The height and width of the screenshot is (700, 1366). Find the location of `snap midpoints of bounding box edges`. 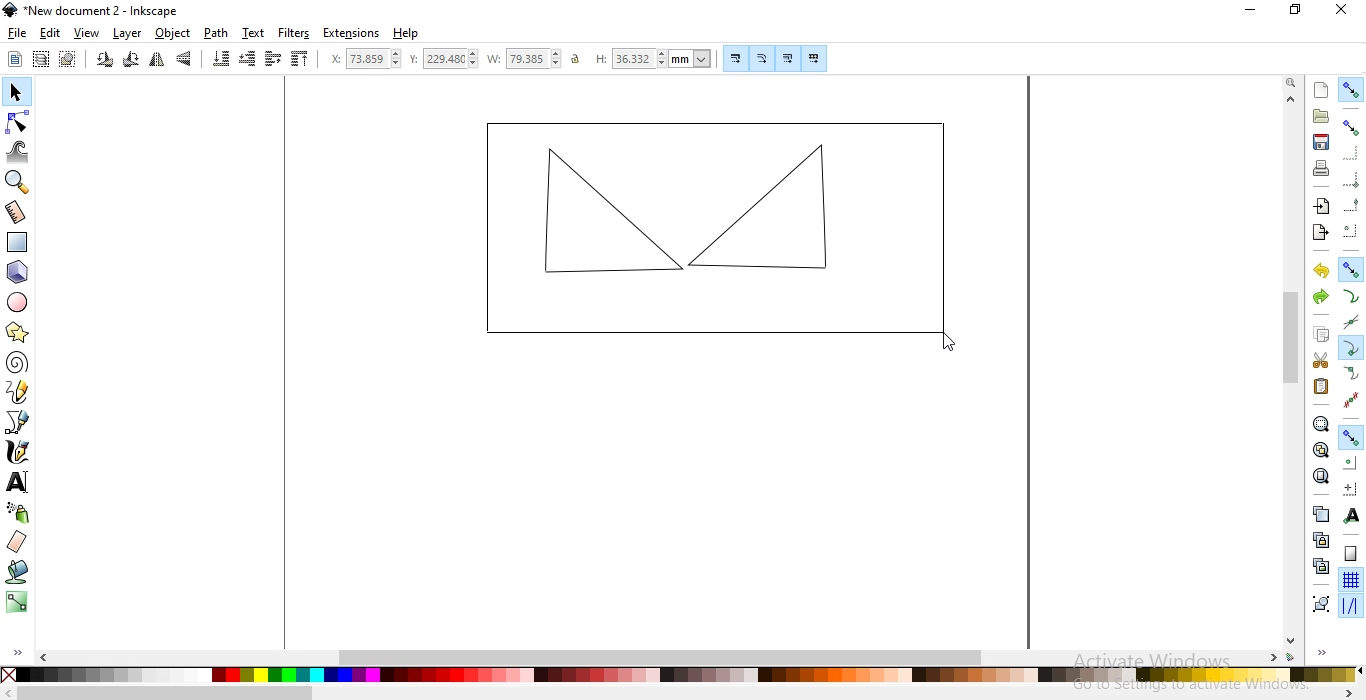

snap midpoints of bounding box edges is located at coordinates (1352, 203).